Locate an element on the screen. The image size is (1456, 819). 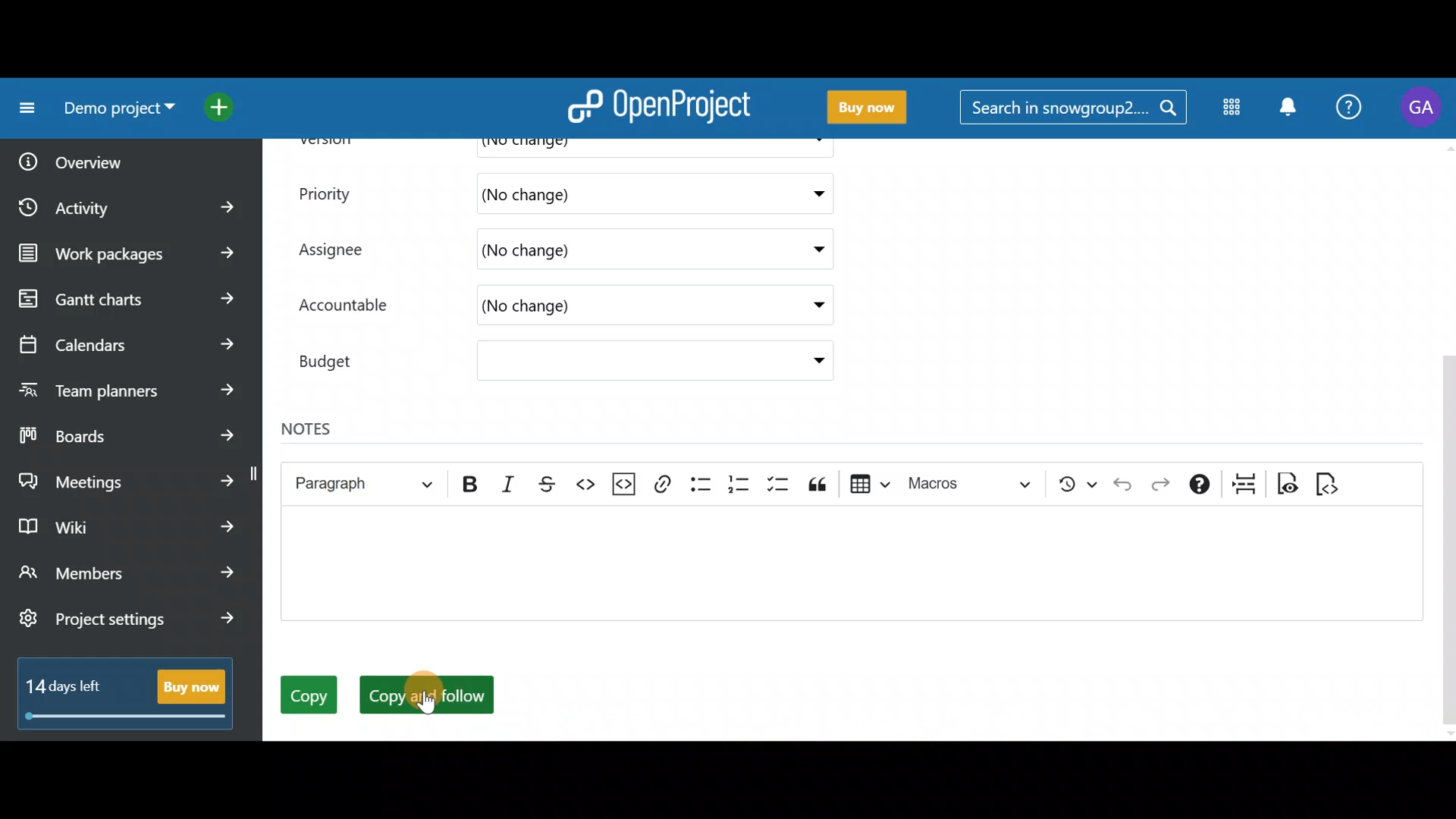
Numbered list is located at coordinates (743, 483).